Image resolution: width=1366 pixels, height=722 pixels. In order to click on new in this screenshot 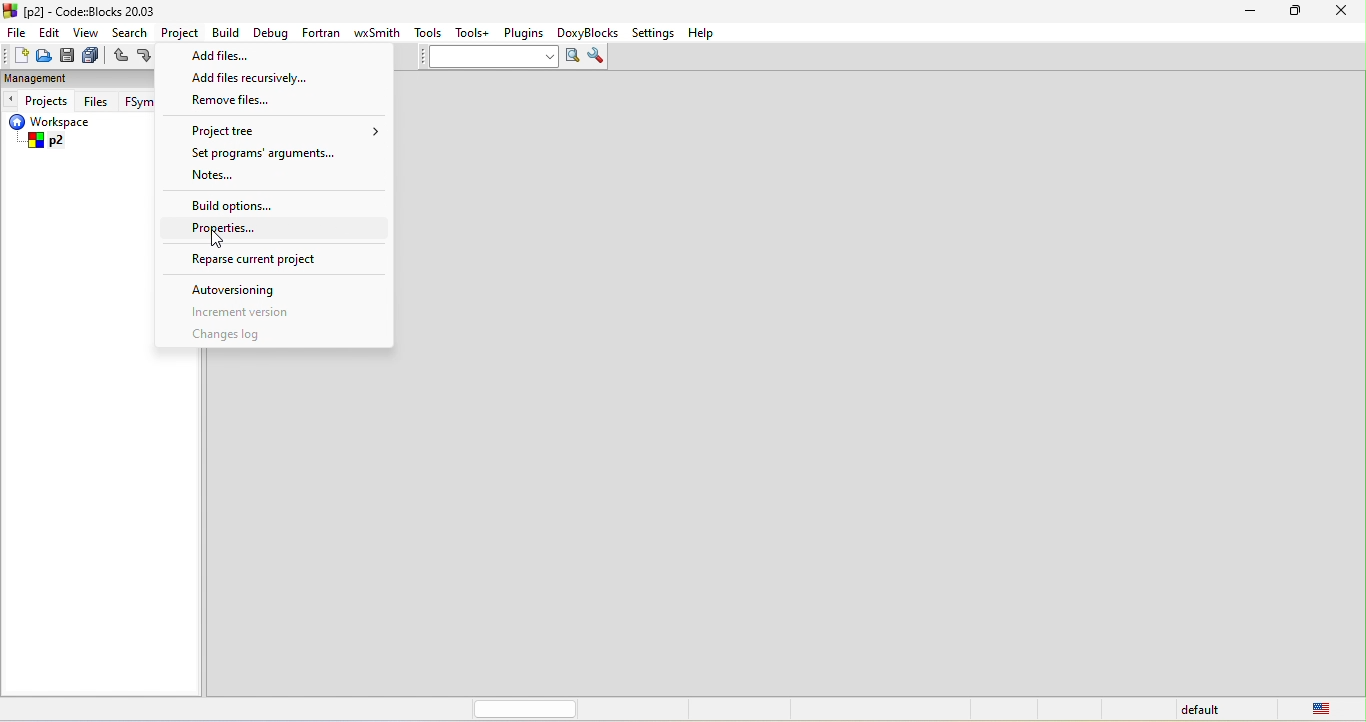, I will do `click(15, 55)`.